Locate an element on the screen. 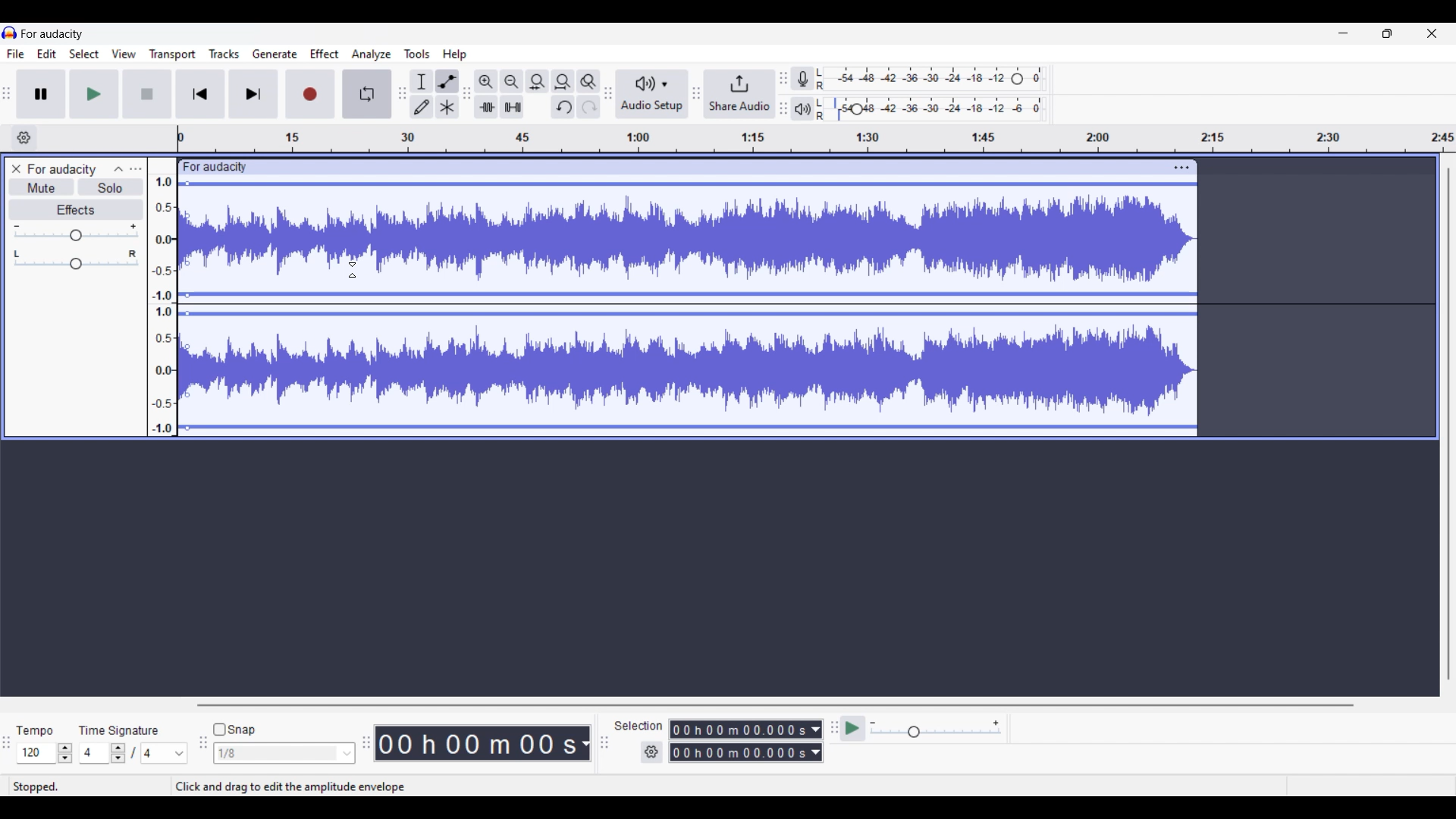 Image resolution: width=1456 pixels, height=819 pixels. Horizontal slide bar is located at coordinates (774, 705).